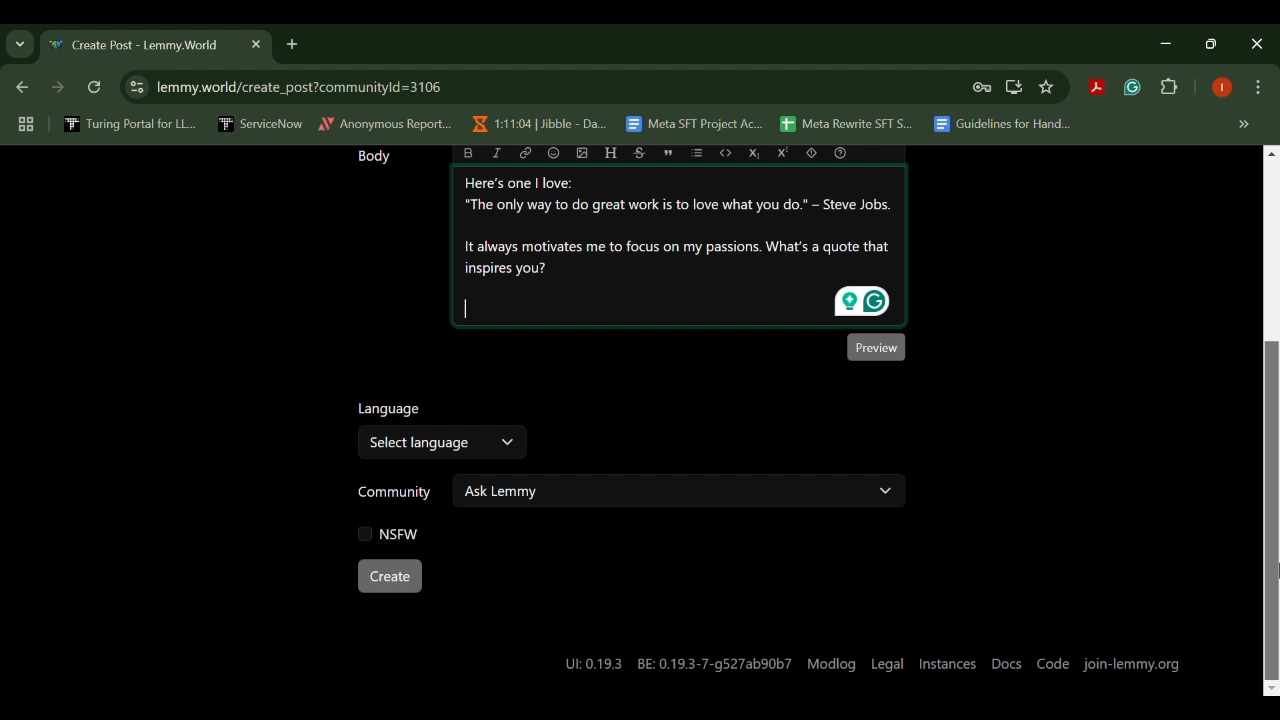 This screenshot has height=720, width=1280. Describe the element at coordinates (982, 88) in the screenshot. I see `Site Password Data Saved` at that location.